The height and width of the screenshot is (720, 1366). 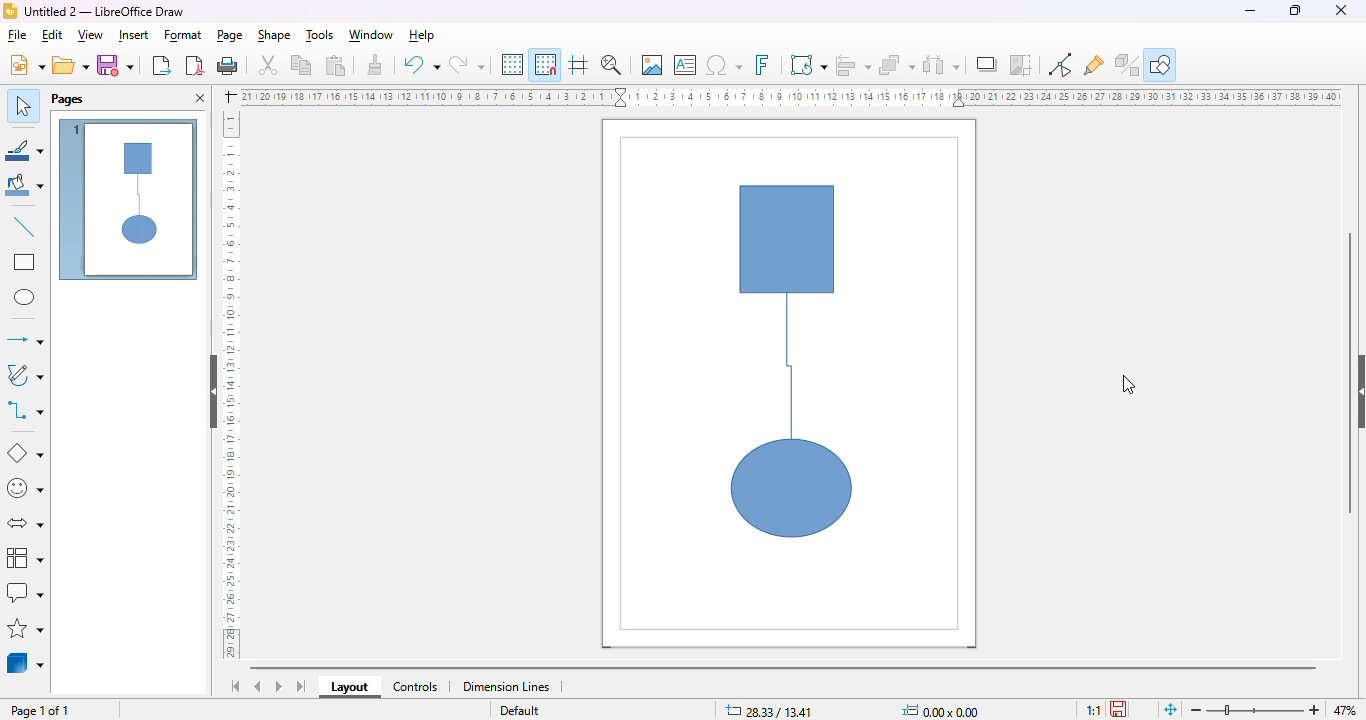 What do you see at coordinates (988, 65) in the screenshot?
I see `shadow` at bounding box center [988, 65].